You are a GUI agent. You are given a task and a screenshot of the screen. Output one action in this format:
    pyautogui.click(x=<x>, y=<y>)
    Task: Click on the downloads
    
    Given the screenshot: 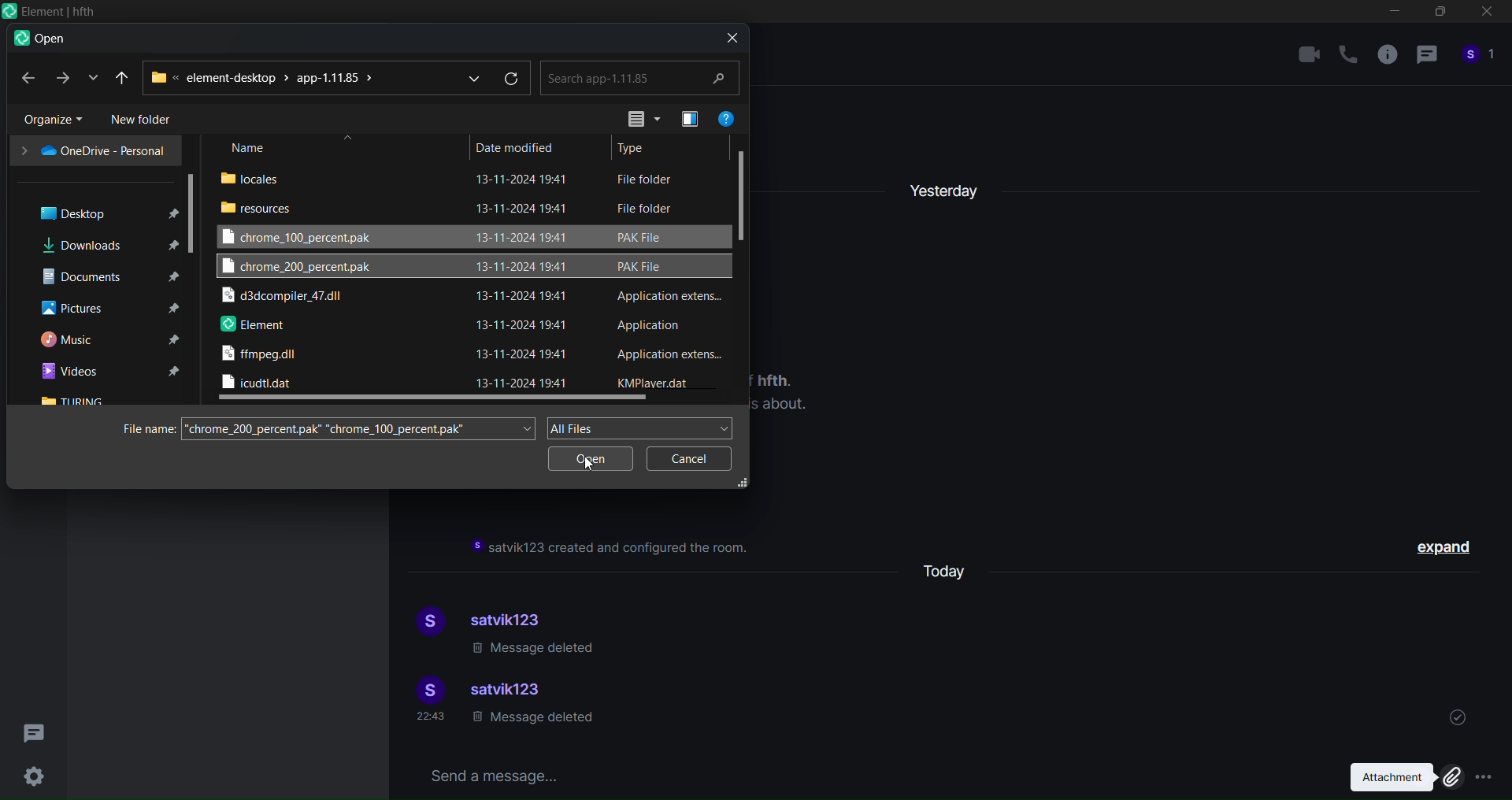 What is the action you would take?
    pyautogui.click(x=105, y=244)
    